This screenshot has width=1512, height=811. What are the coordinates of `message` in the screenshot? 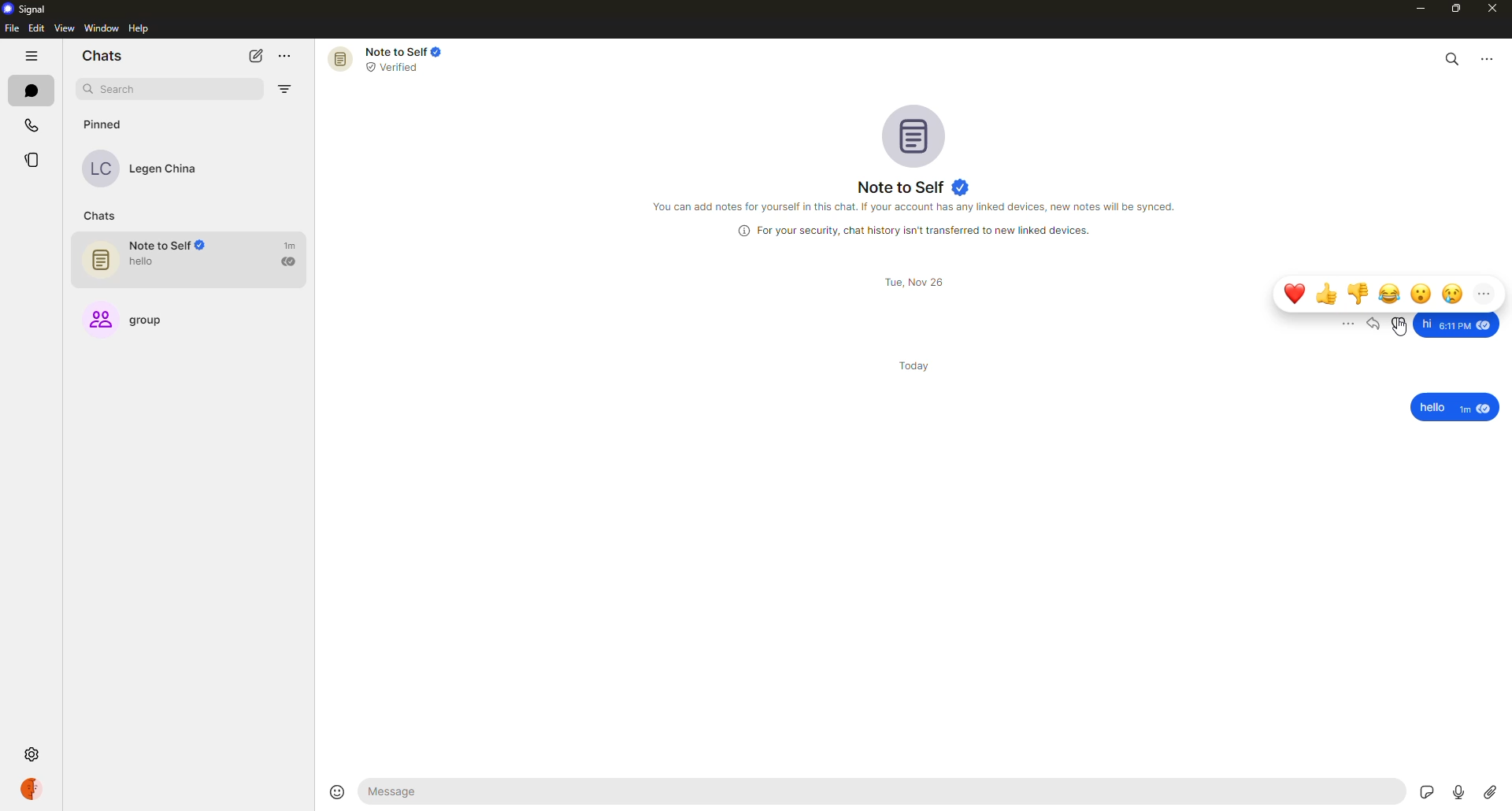 It's located at (1455, 408).